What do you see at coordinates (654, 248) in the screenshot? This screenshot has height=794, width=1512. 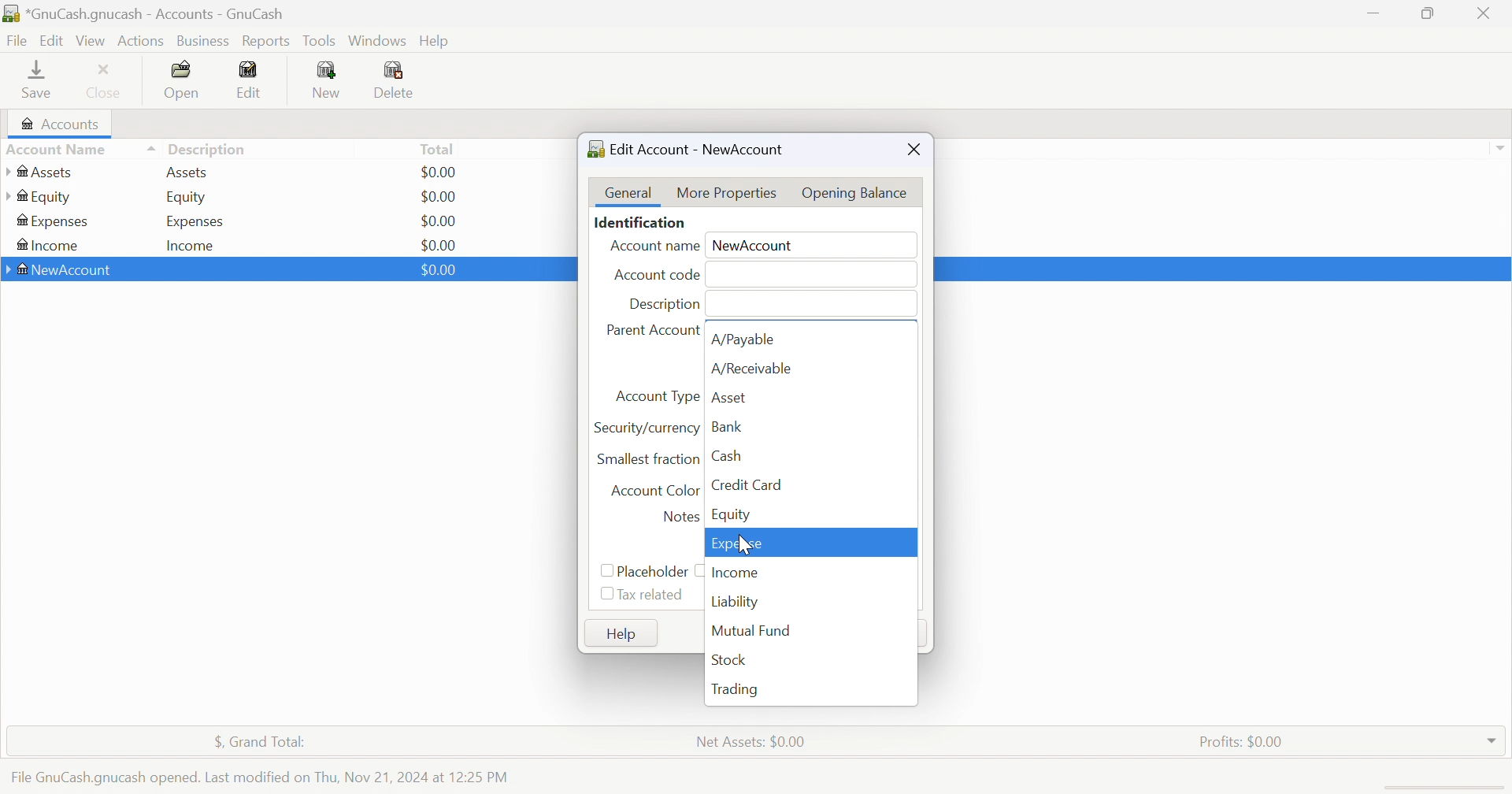 I see `Account Name` at bounding box center [654, 248].